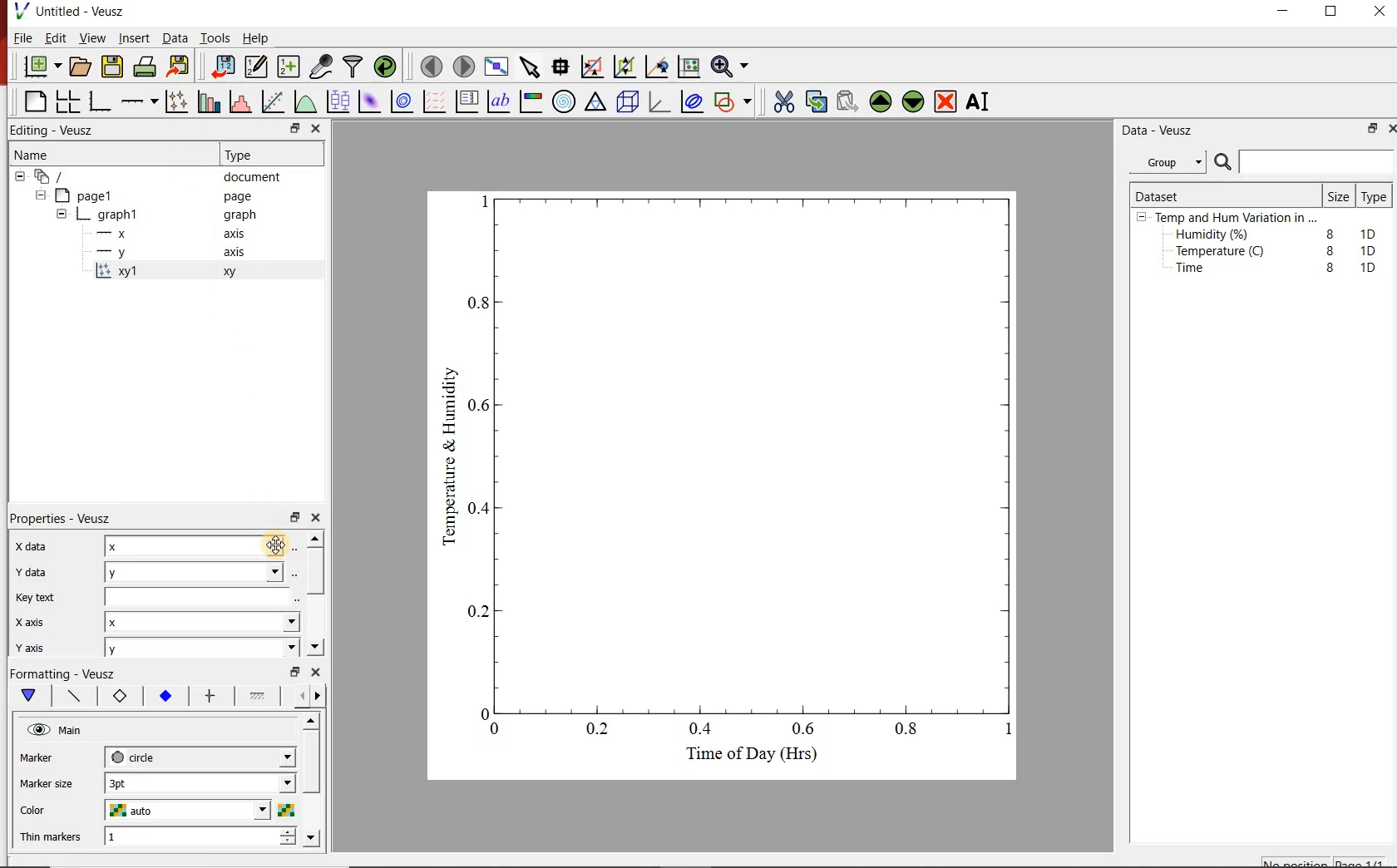  I want to click on move to the next page, so click(463, 66).